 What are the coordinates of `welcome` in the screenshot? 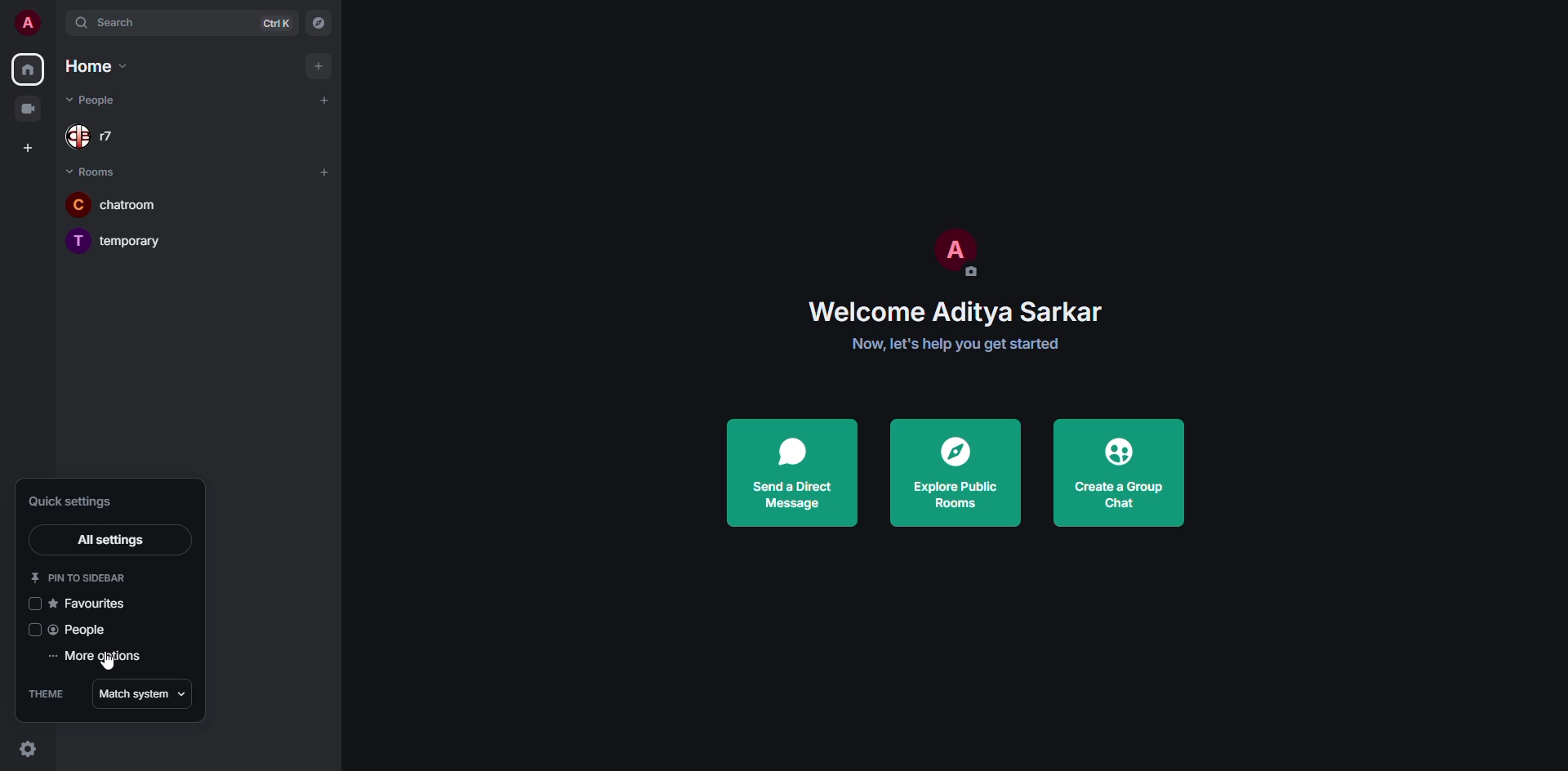 It's located at (955, 314).